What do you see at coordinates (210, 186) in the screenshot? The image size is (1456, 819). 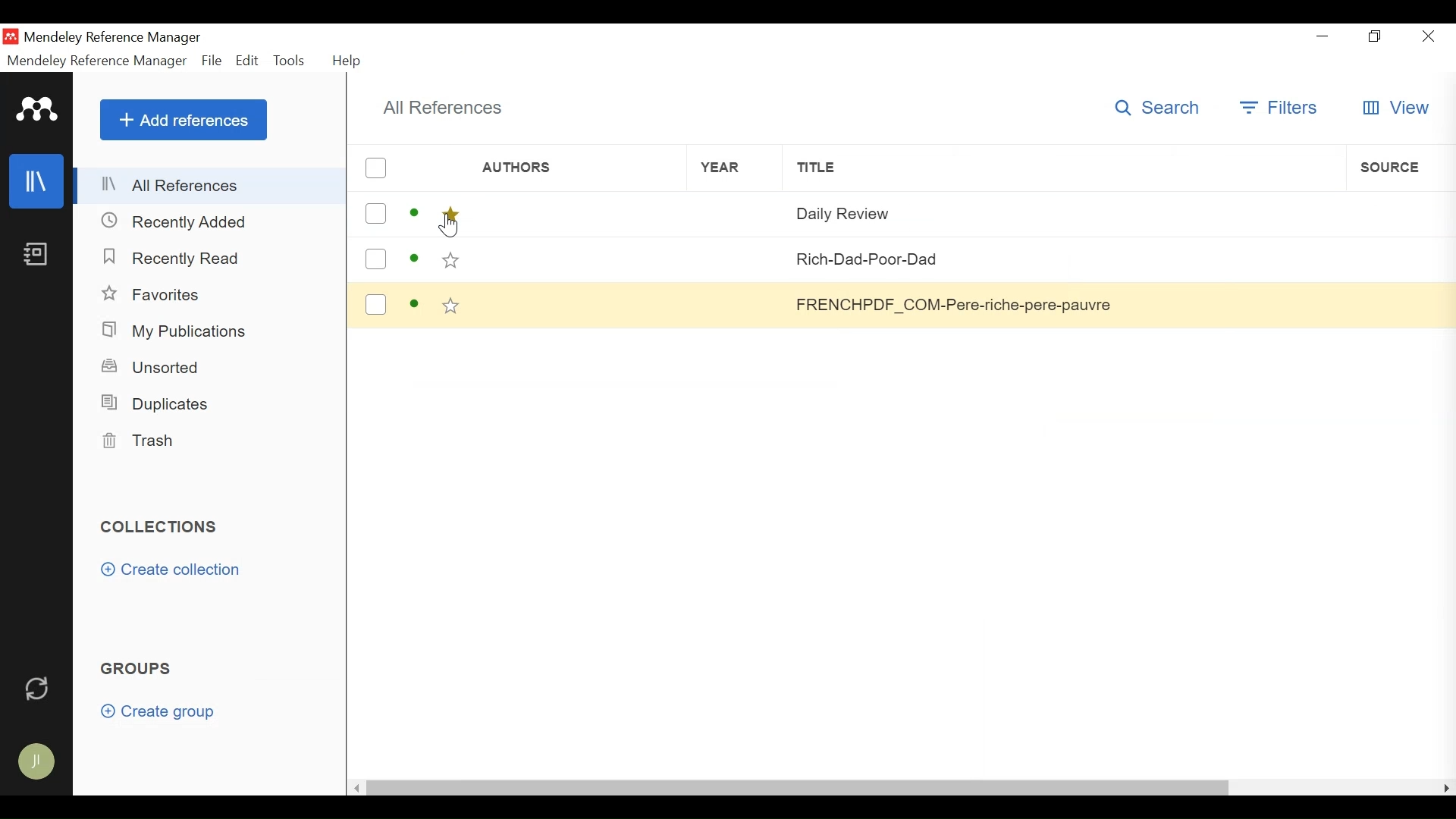 I see `All References` at bounding box center [210, 186].